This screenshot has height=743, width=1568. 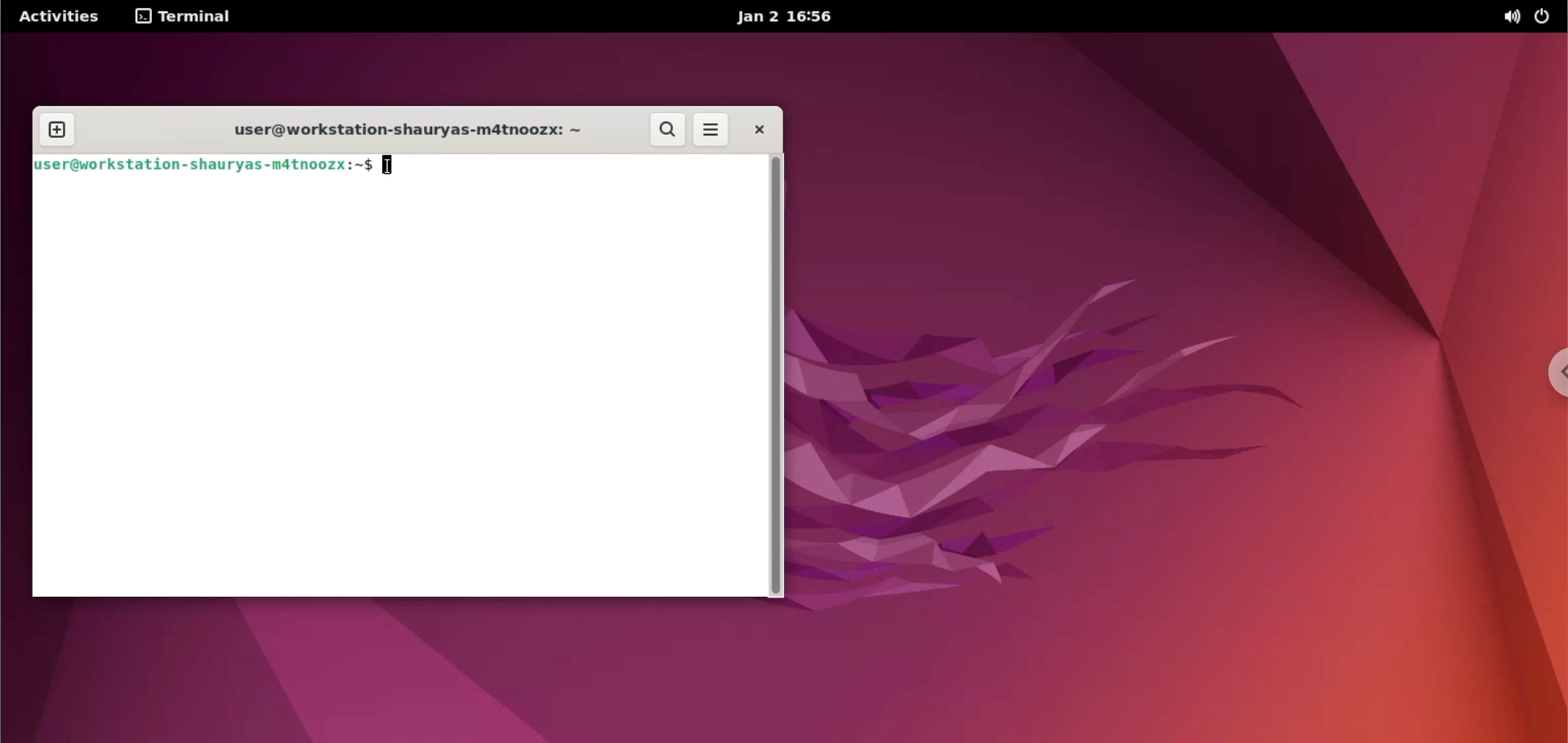 What do you see at coordinates (388, 165) in the screenshot?
I see `cursor` at bounding box center [388, 165].